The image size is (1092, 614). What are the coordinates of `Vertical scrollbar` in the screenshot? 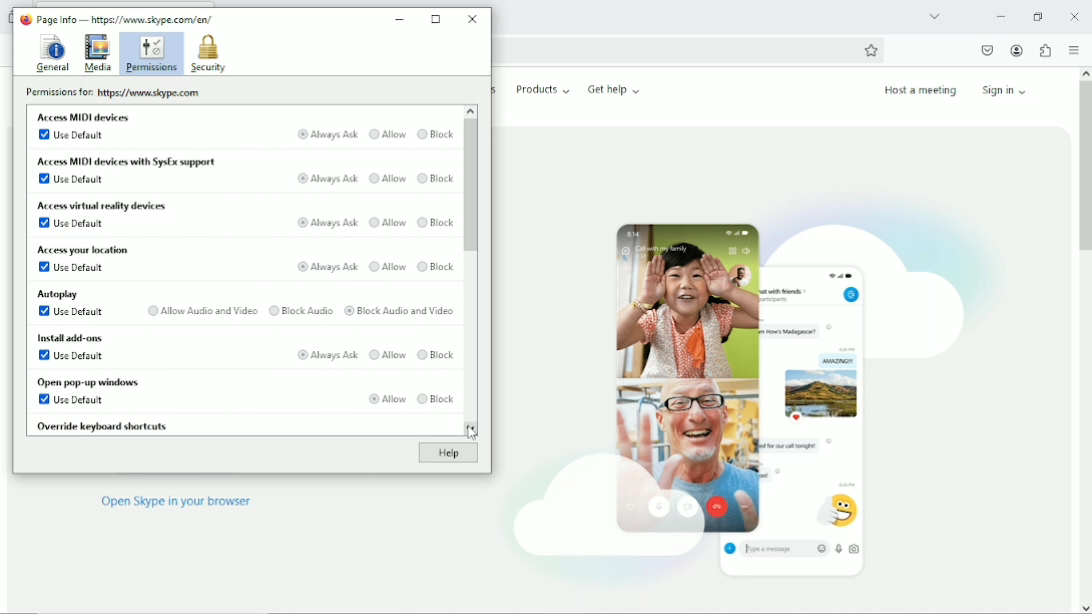 It's located at (470, 186).